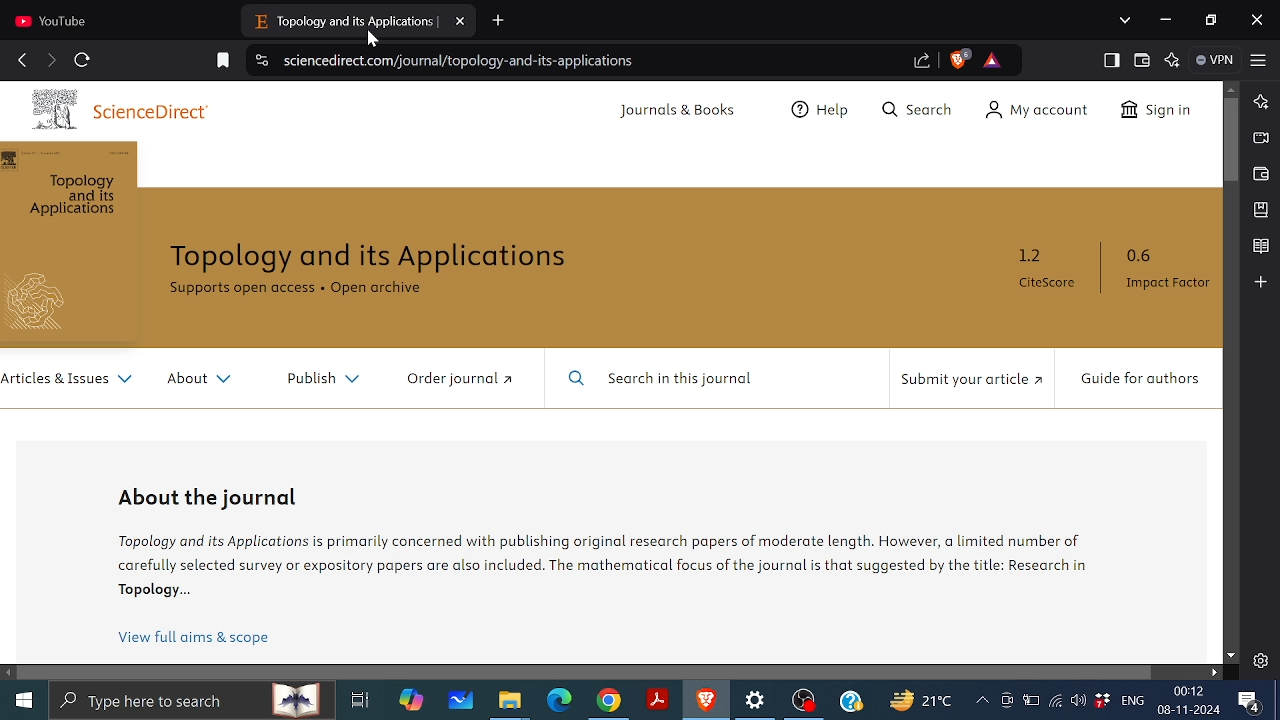 This screenshot has height=720, width=1280. I want to click on Task view, so click(360, 700).